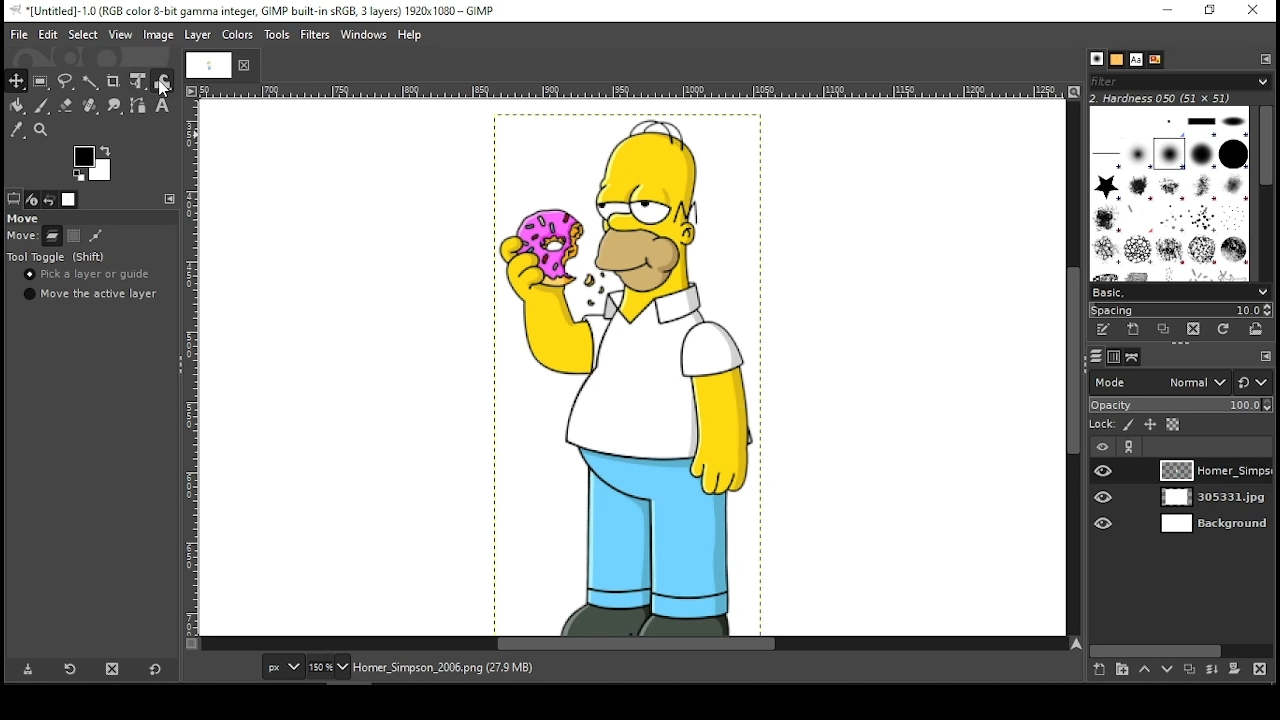 Image resolution: width=1280 pixels, height=720 pixels. What do you see at coordinates (1132, 357) in the screenshot?
I see `paths` at bounding box center [1132, 357].